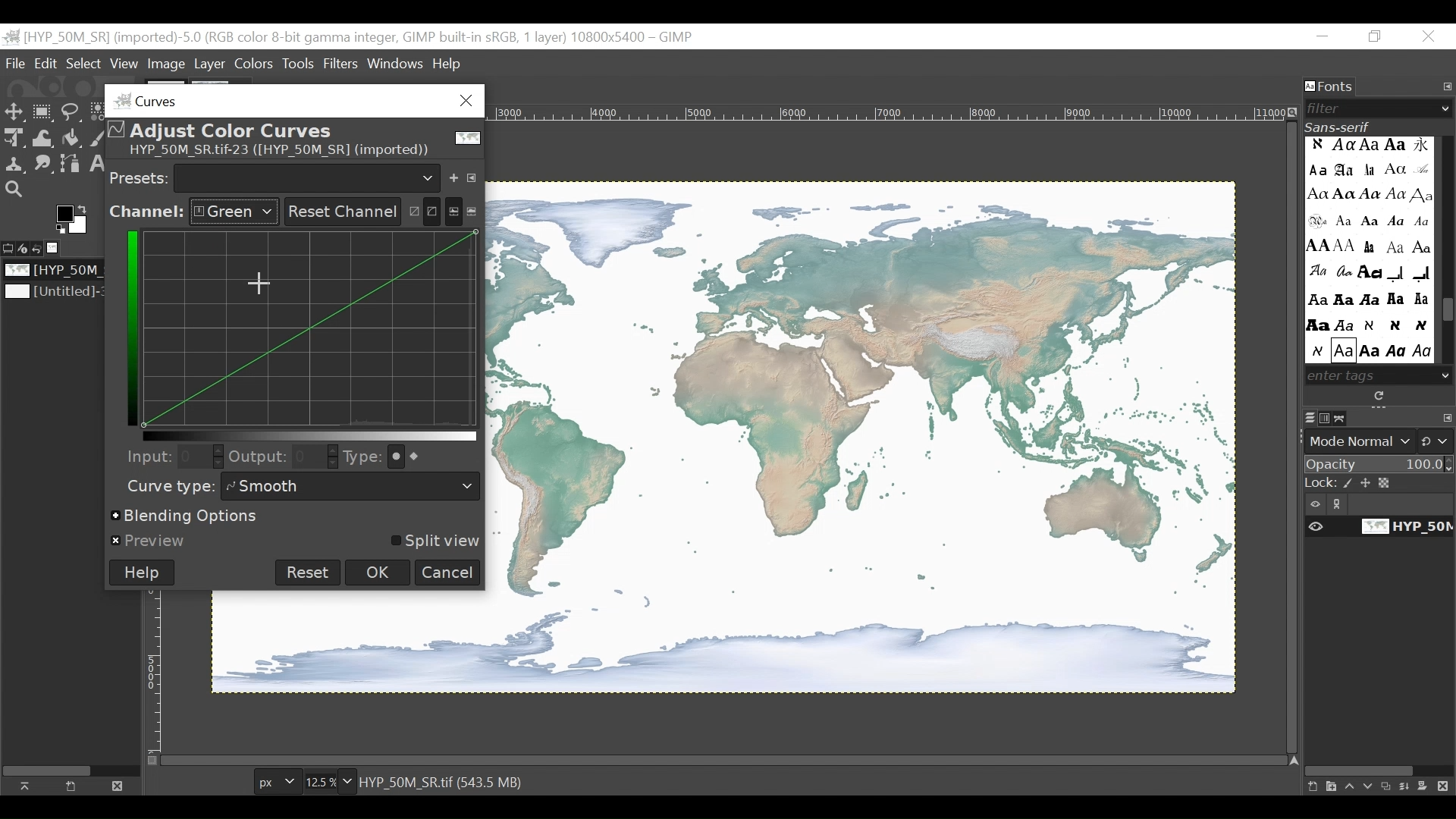 This screenshot has height=819, width=1456. What do you see at coordinates (58, 271) in the screenshot?
I see `Image` at bounding box center [58, 271].